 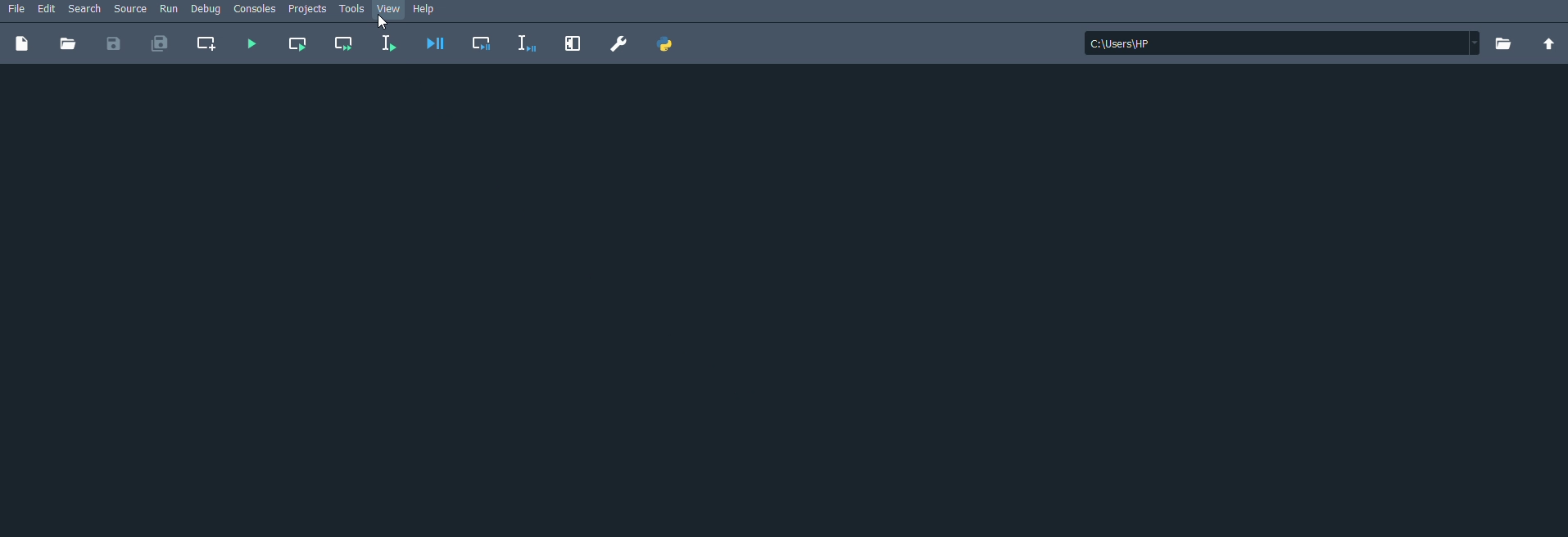 I want to click on Debug selection or current line, so click(x=527, y=43).